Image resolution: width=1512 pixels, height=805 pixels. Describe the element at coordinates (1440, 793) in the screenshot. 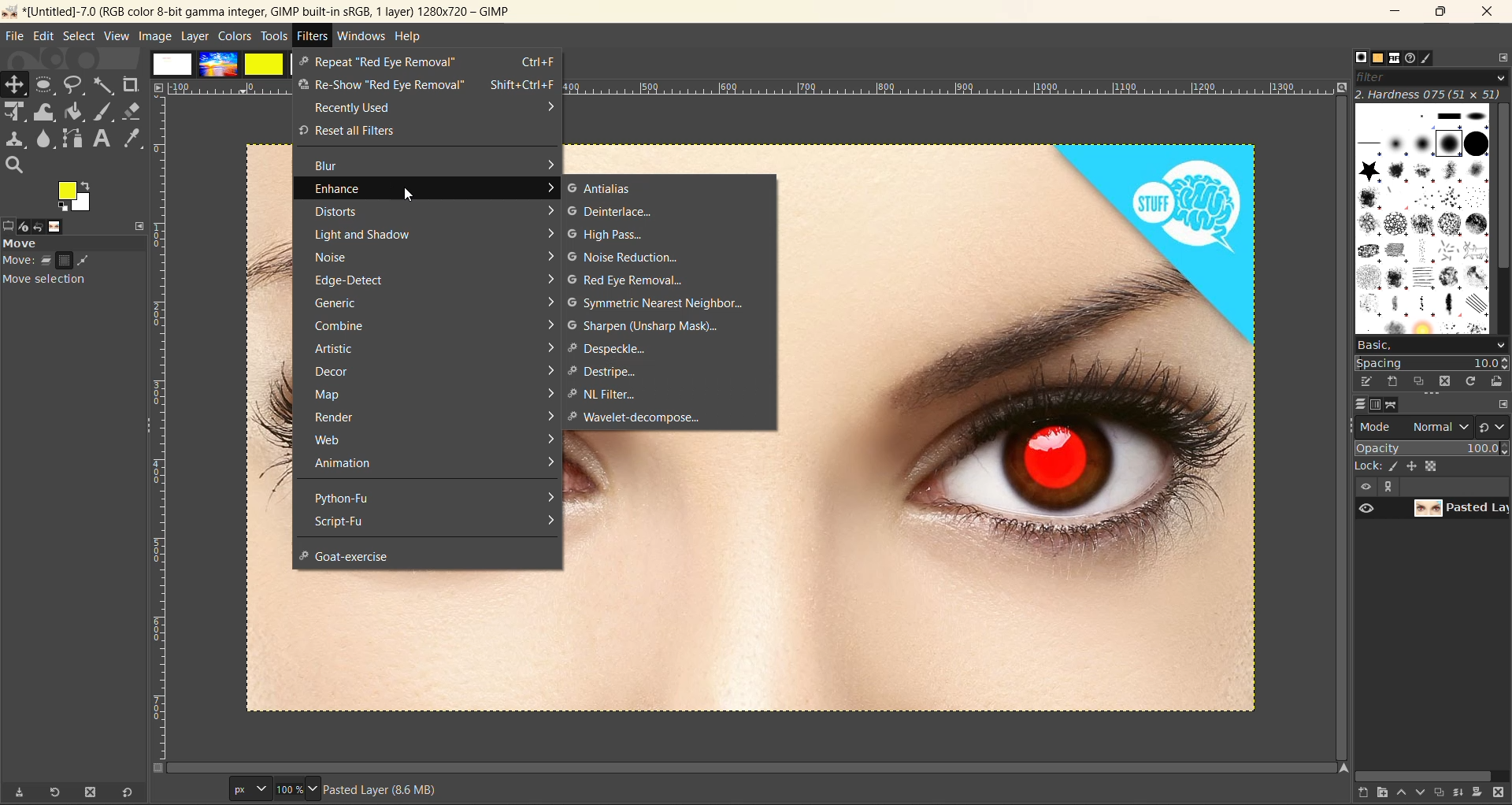

I see `create a duplicate` at that location.